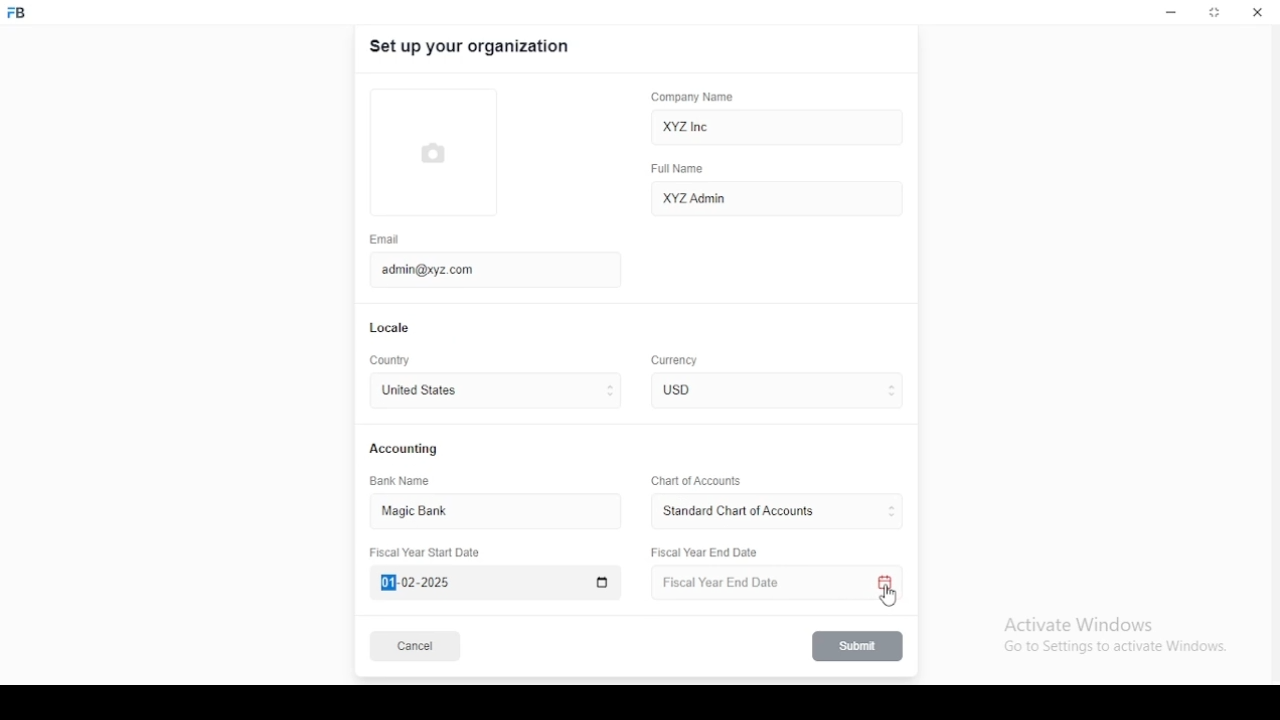  I want to click on L ‘Standard Chart of Accounts, so click(737, 512).